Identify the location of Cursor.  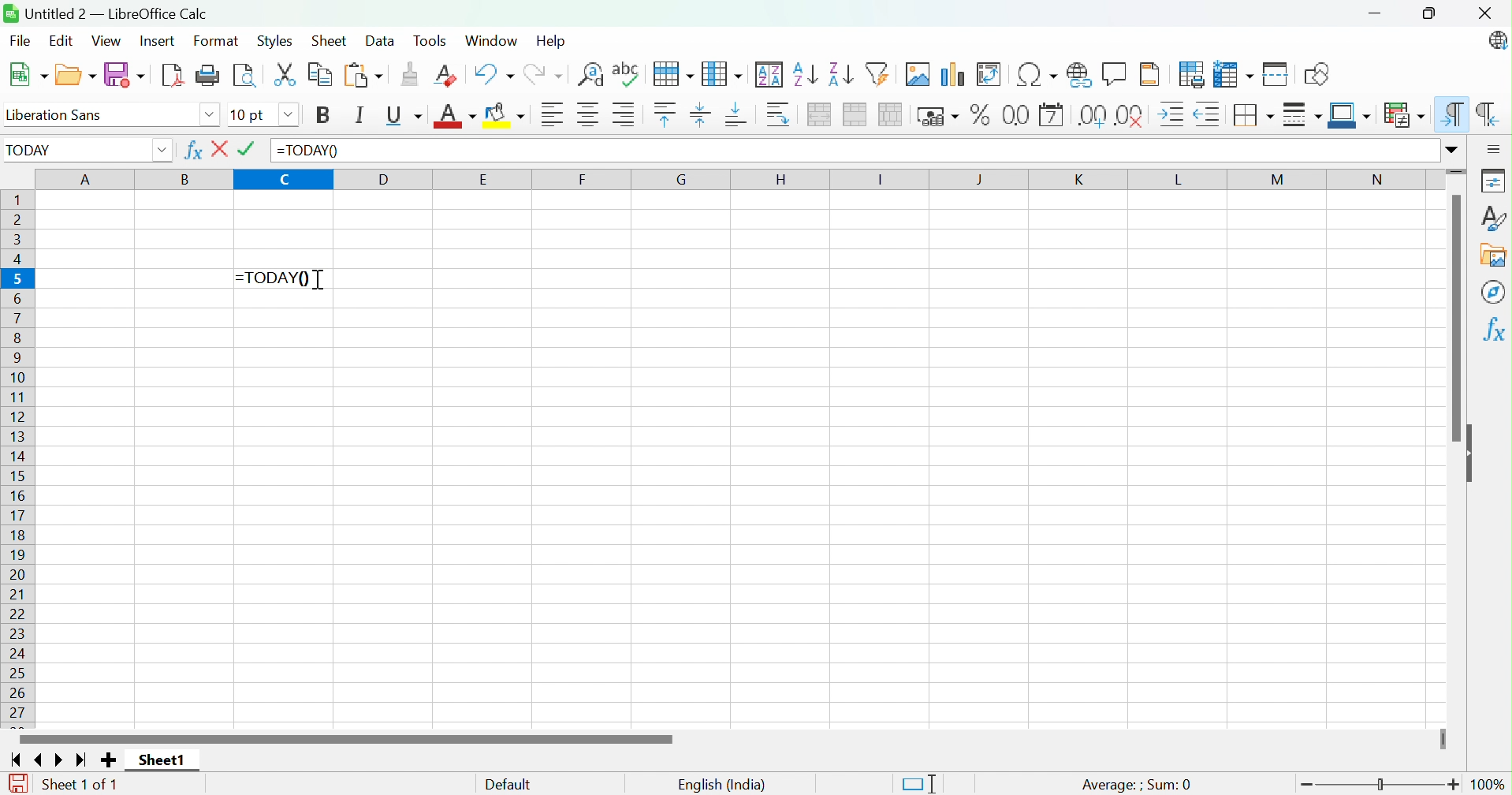
(318, 281).